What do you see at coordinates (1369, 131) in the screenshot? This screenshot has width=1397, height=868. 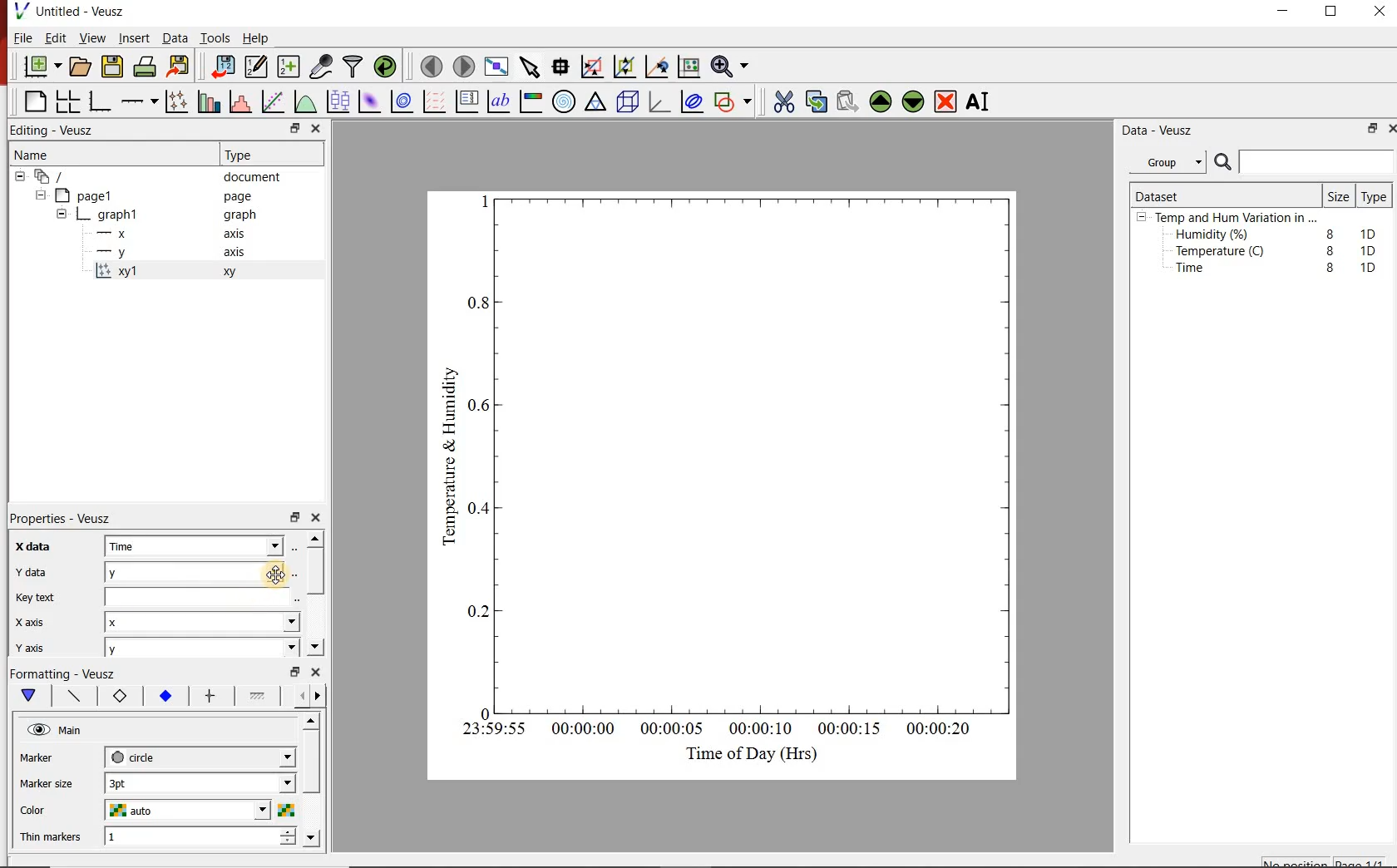 I see `restore down` at bounding box center [1369, 131].